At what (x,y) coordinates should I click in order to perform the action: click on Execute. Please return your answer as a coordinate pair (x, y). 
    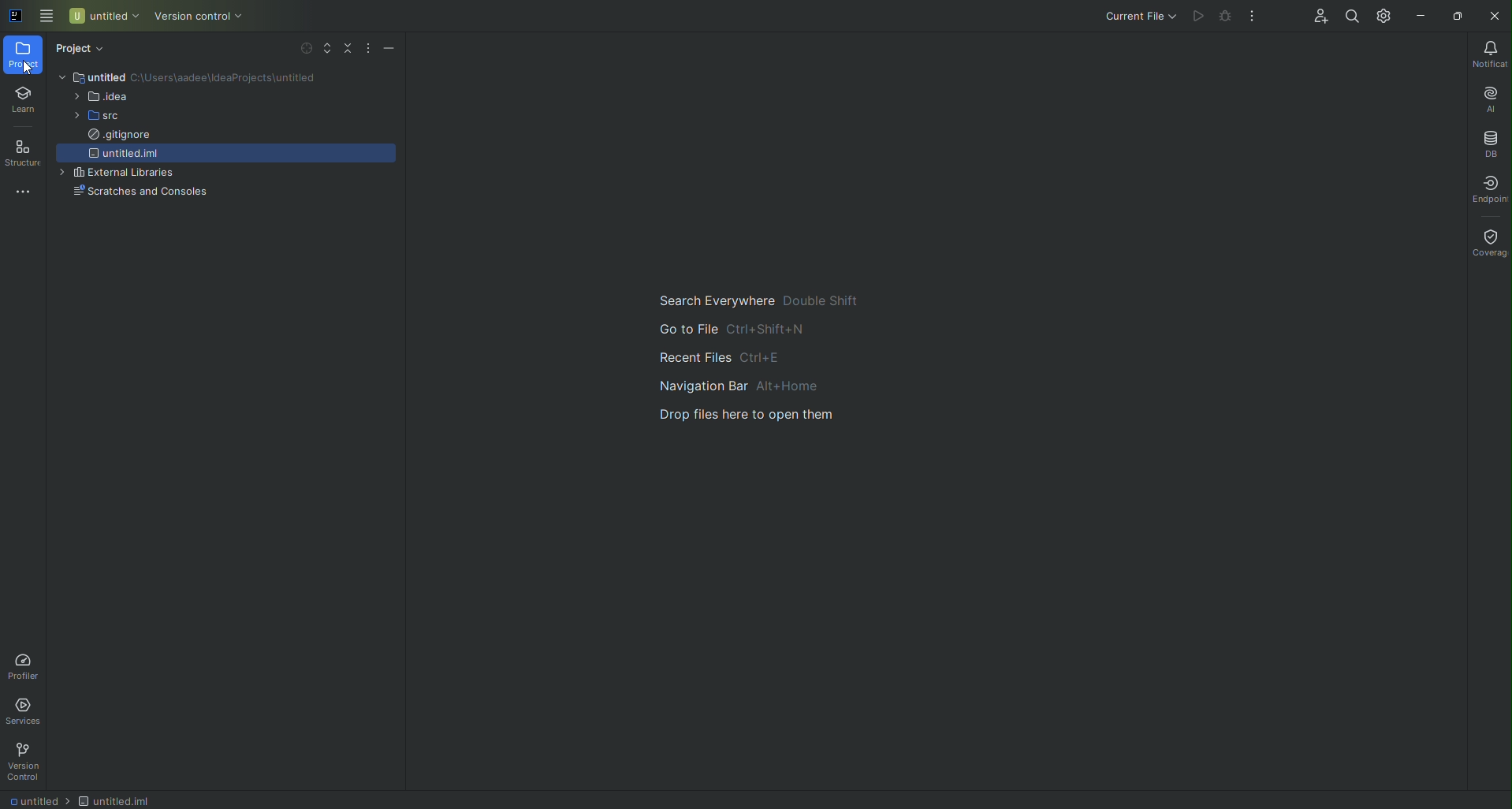
    Looking at the image, I should click on (1197, 17).